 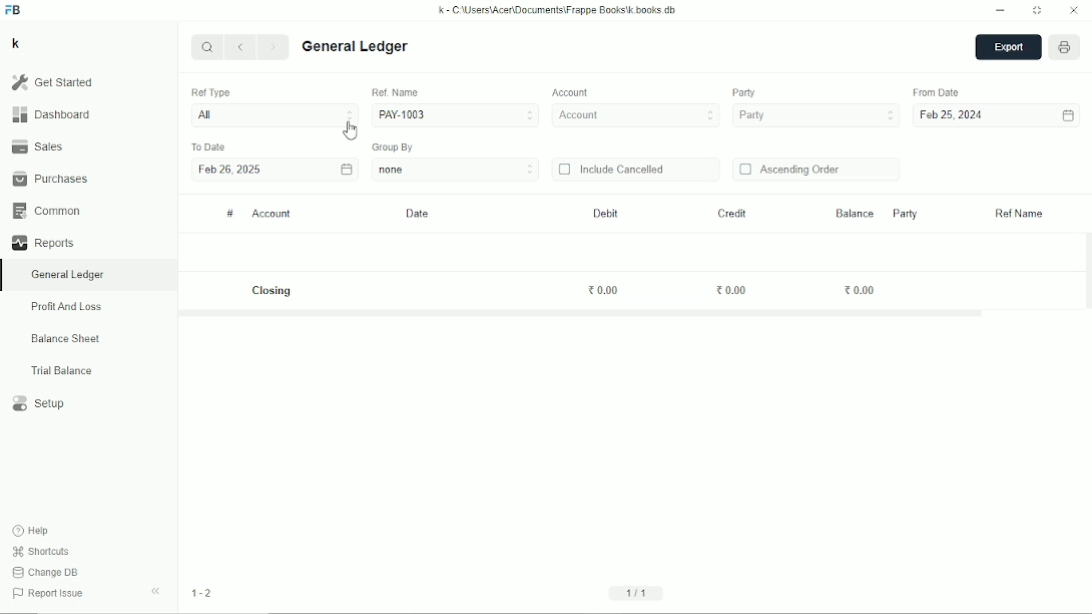 I want to click on Party, so click(x=904, y=213).